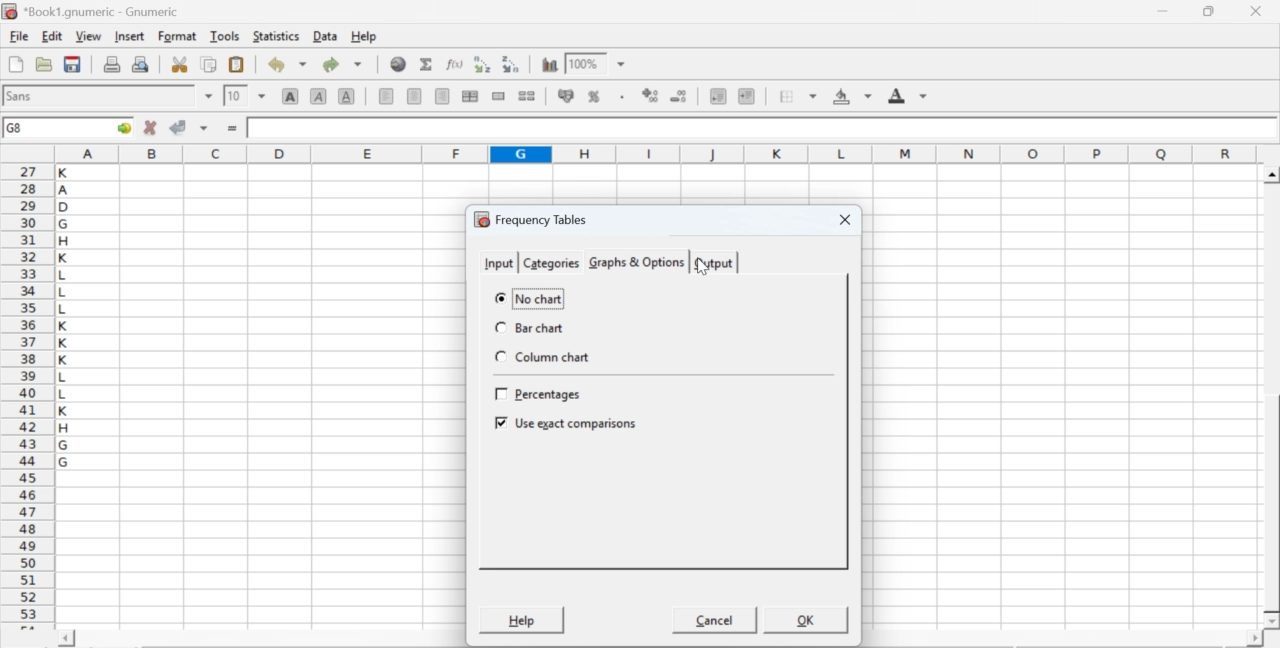 The width and height of the screenshot is (1280, 648). What do you see at coordinates (386, 94) in the screenshot?
I see `align left` at bounding box center [386, 94].